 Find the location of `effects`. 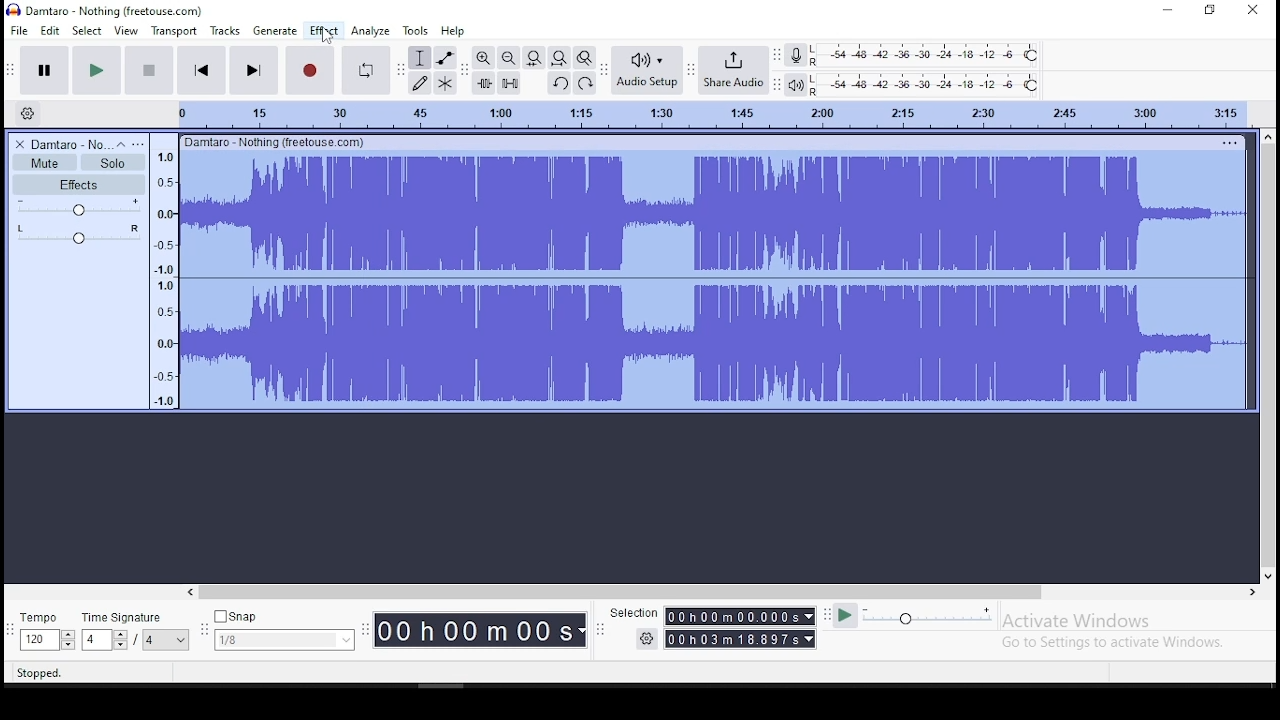

effects is located at coordinates (324, 31).